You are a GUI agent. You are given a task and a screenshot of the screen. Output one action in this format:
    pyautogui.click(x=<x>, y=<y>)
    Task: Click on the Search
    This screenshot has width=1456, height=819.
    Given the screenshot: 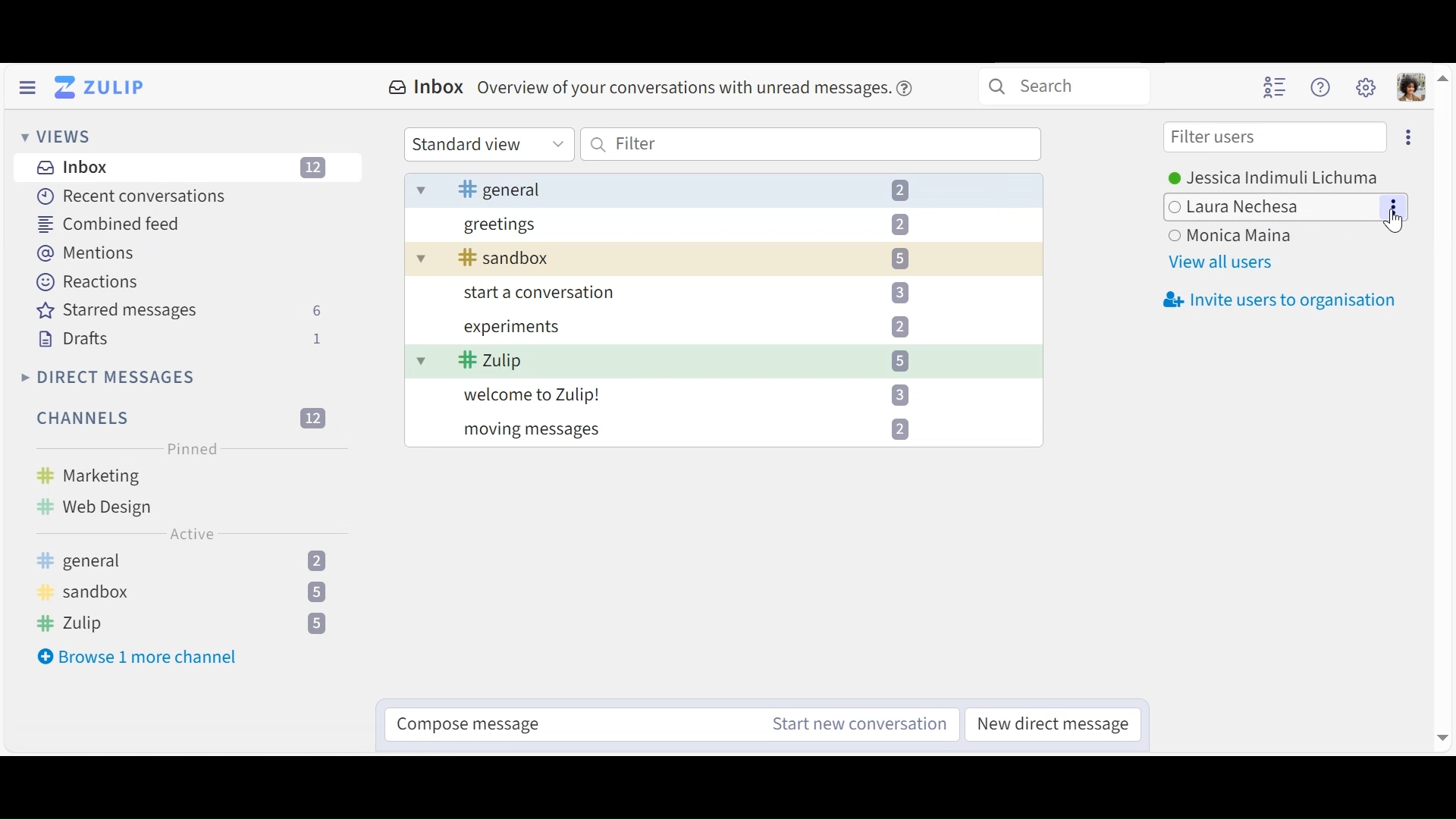 What is the action you would take?
    pyautogui.click(x=1063, y=86)
    